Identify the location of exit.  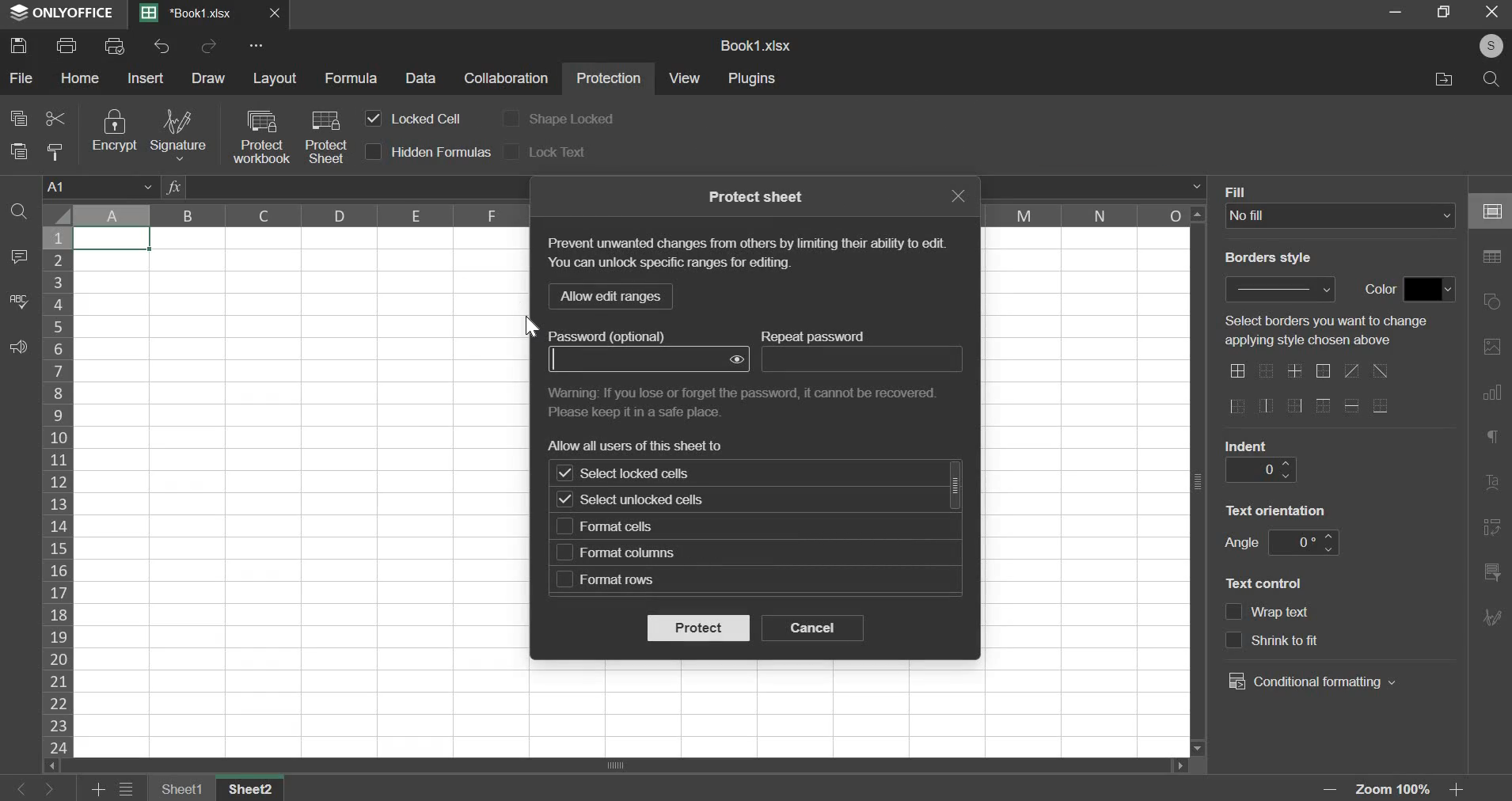
(957, 196).